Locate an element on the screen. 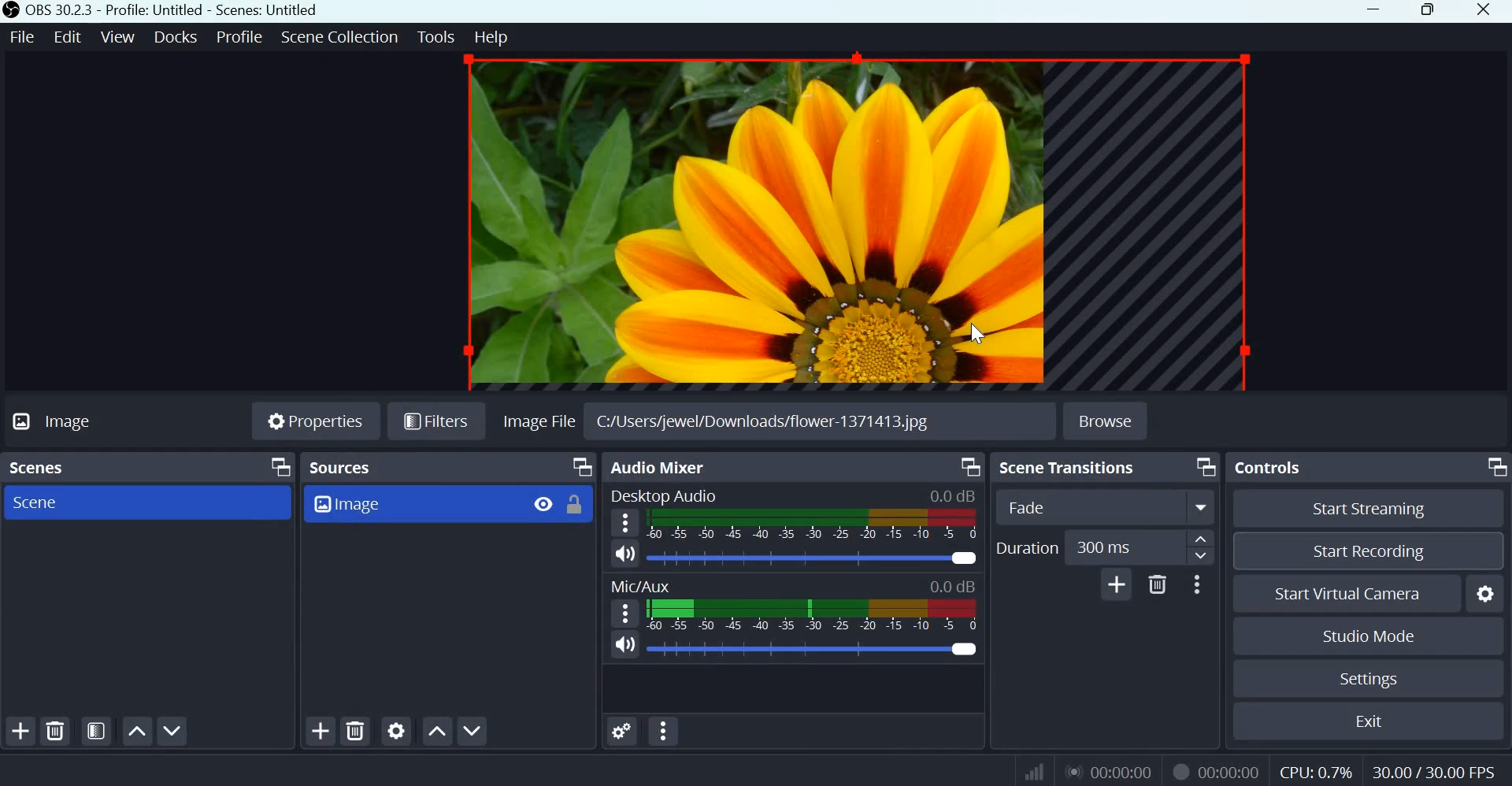 The height and width of the screenshot is (786, 1512). Add scene is located at coordinates (22, 730).